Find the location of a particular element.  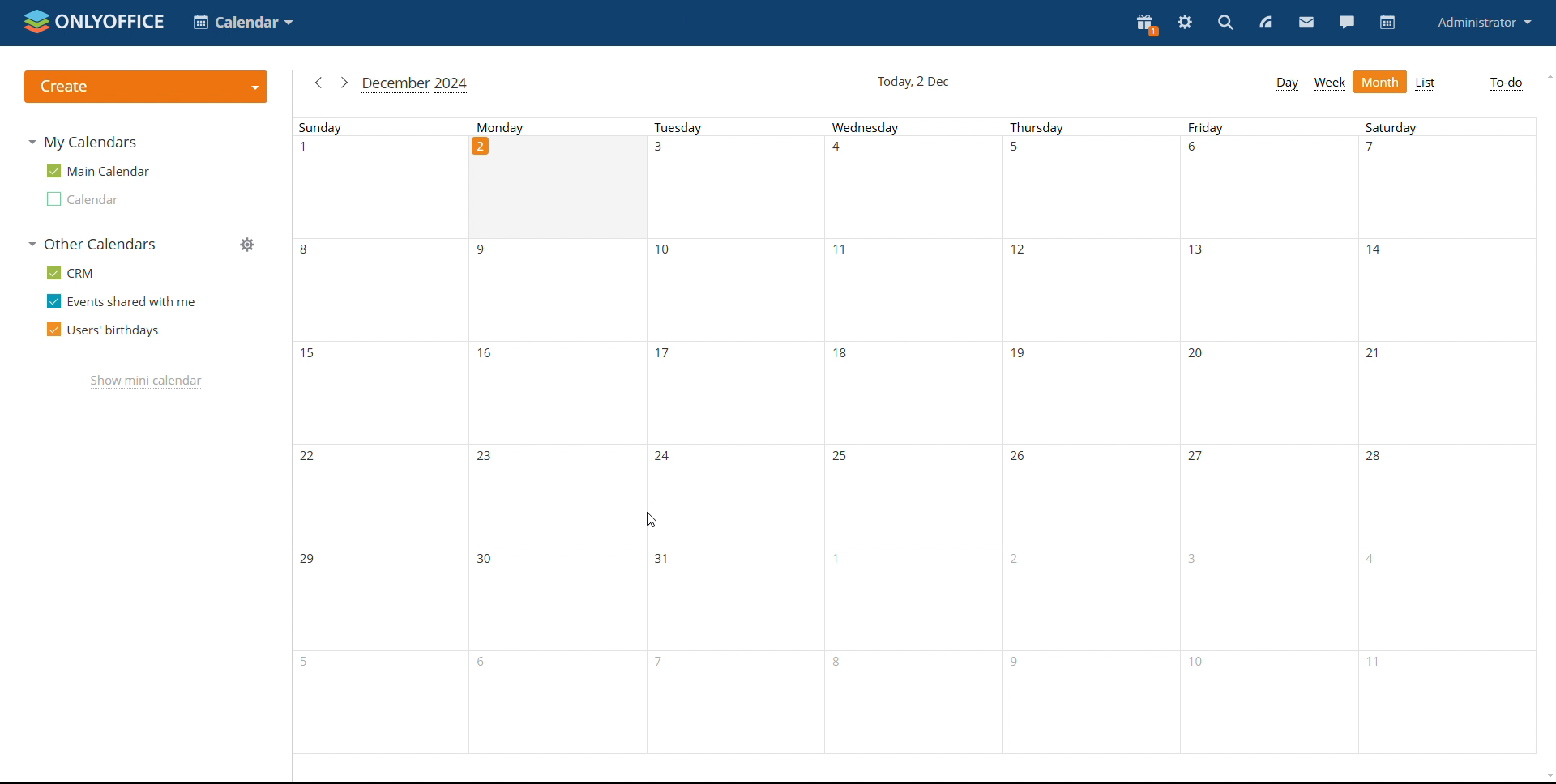

show mini calendar is located at coordinates (147, 382).